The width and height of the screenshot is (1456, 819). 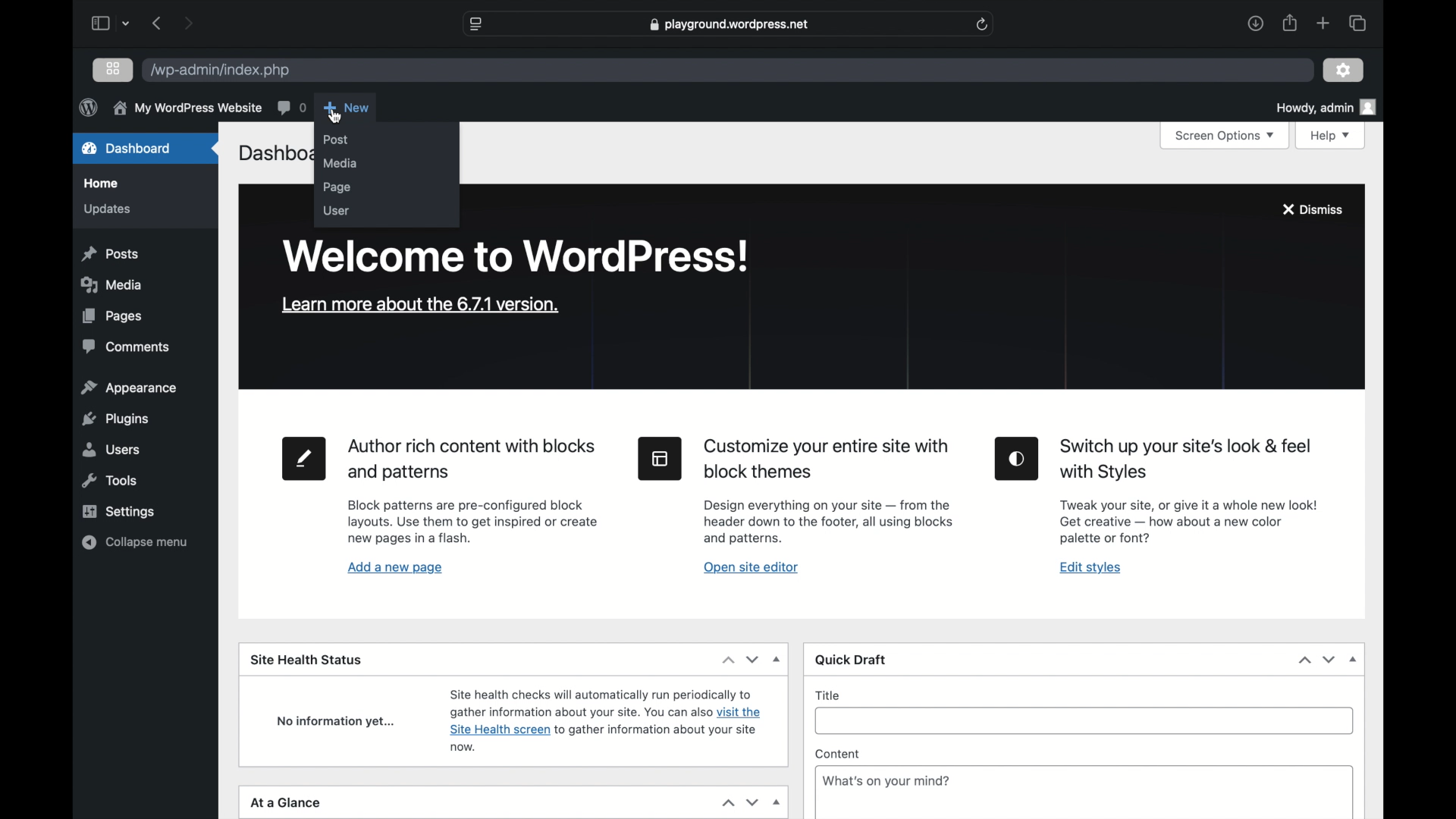 What do you see at coordinates (110, 481) in the screenshot?
I see `tools` at bounding box center [110, 481].